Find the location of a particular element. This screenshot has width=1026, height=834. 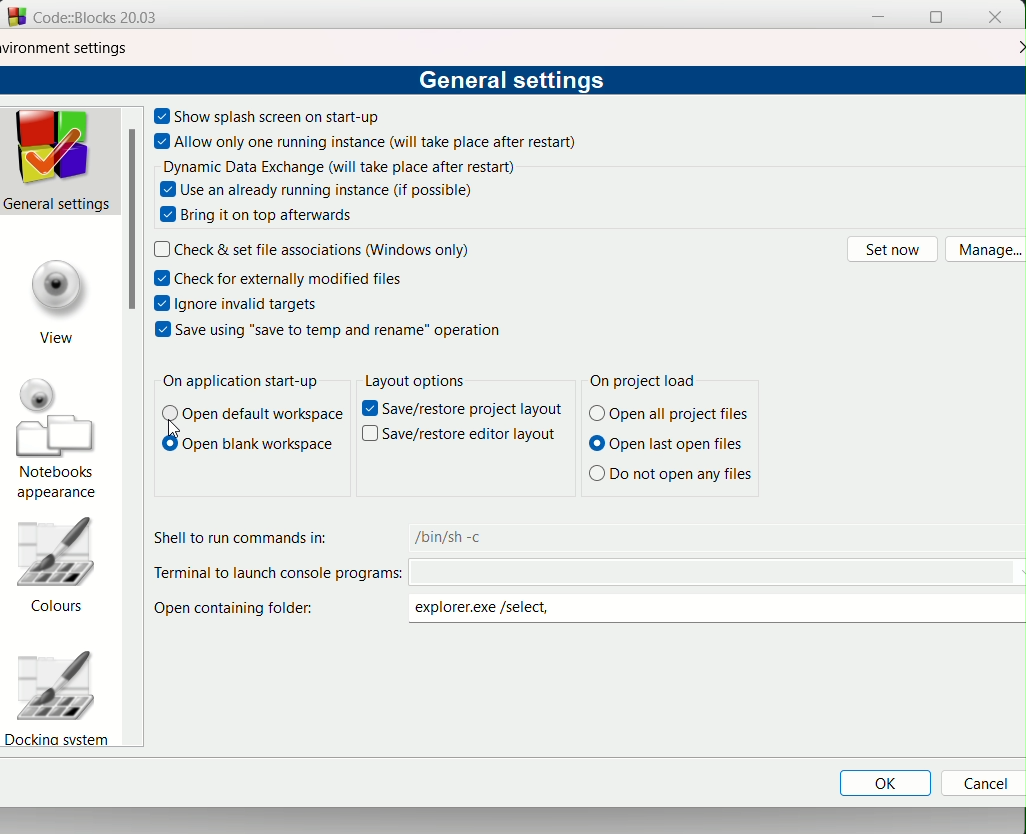

Cancel is located at coordinates (984, 782).